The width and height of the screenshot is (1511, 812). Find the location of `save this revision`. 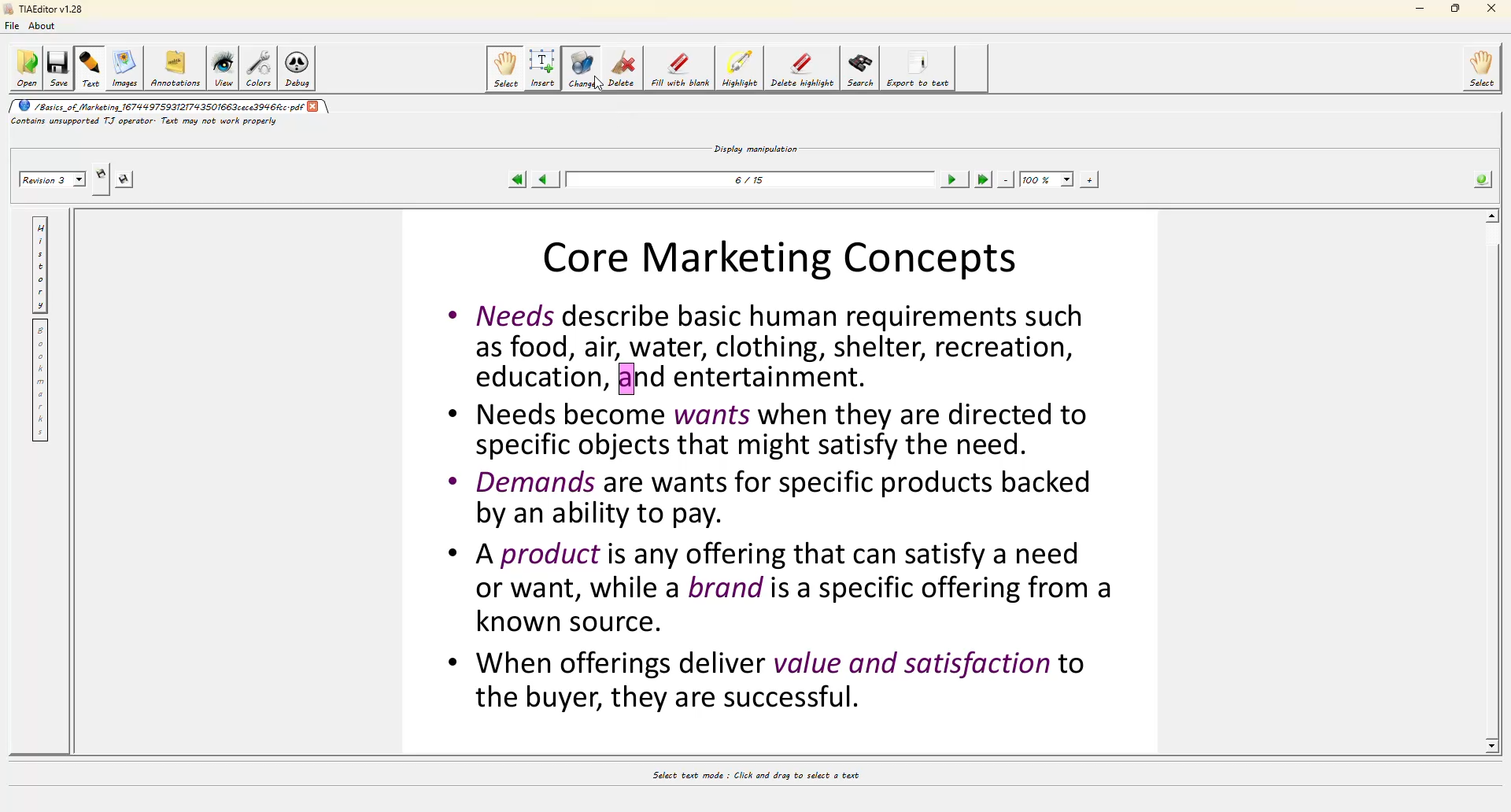

save this revision is located at coordinates (126, 179).